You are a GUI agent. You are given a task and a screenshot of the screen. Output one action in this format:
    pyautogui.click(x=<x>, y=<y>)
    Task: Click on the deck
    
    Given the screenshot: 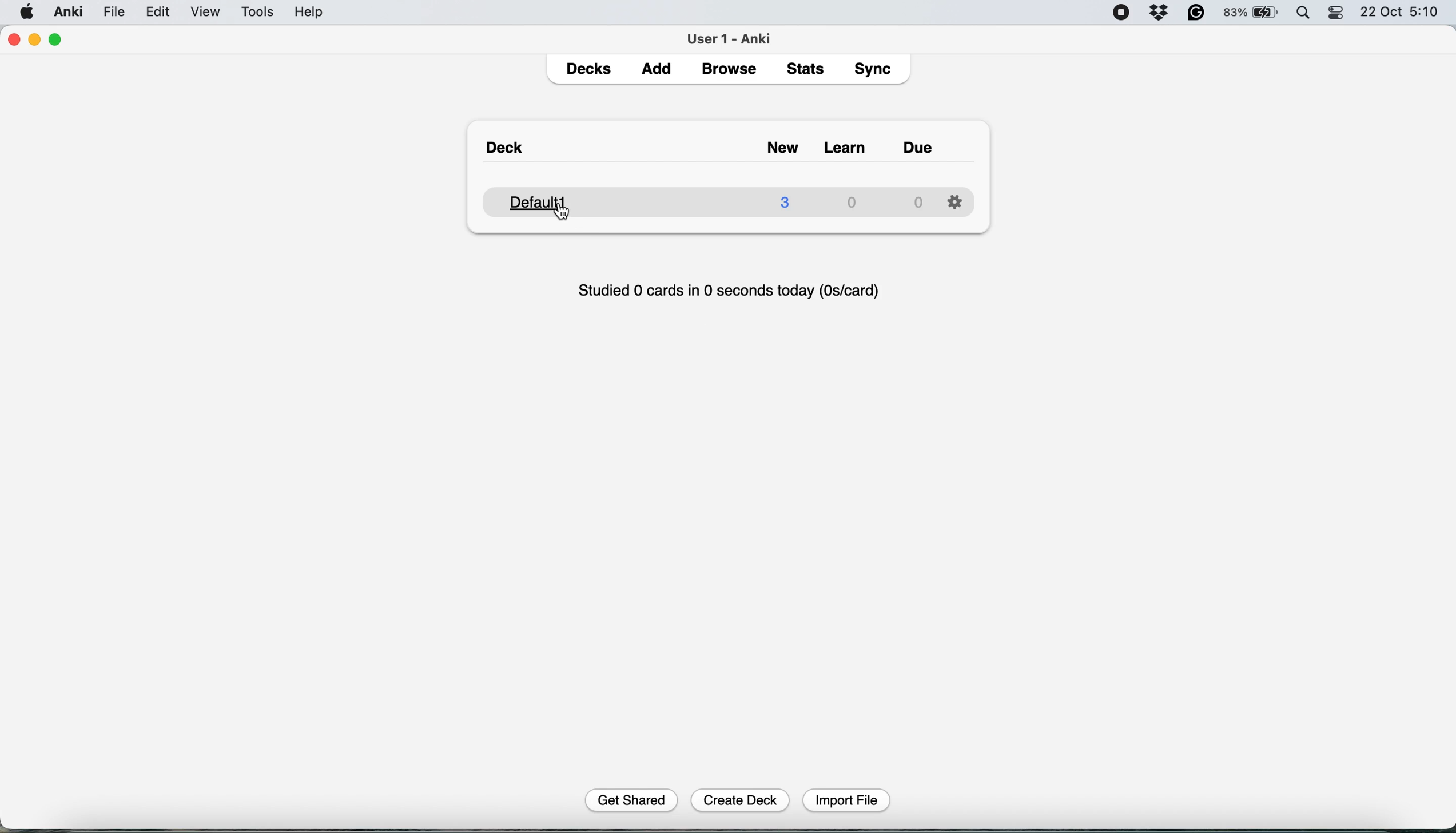 What is the action you would take?
    pyautogui.click(x=508, y=150)
    